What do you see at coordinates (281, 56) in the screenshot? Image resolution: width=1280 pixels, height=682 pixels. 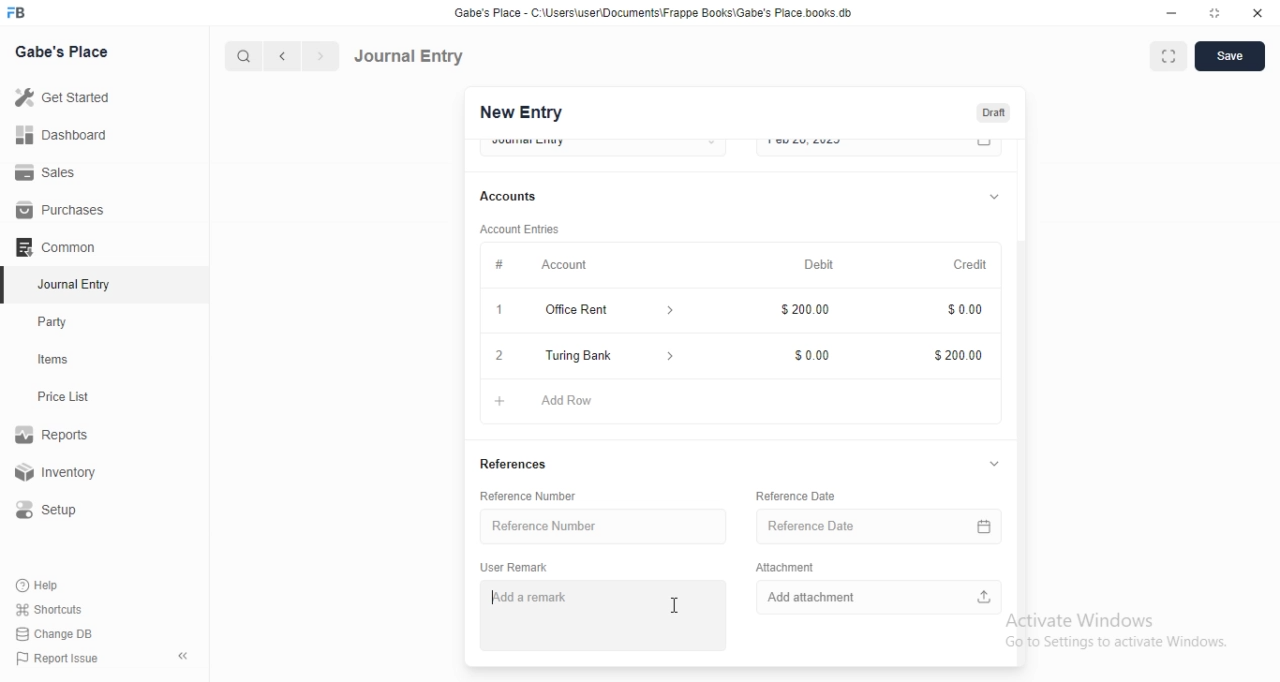 I see `backward` at bounding box center [281, 56].